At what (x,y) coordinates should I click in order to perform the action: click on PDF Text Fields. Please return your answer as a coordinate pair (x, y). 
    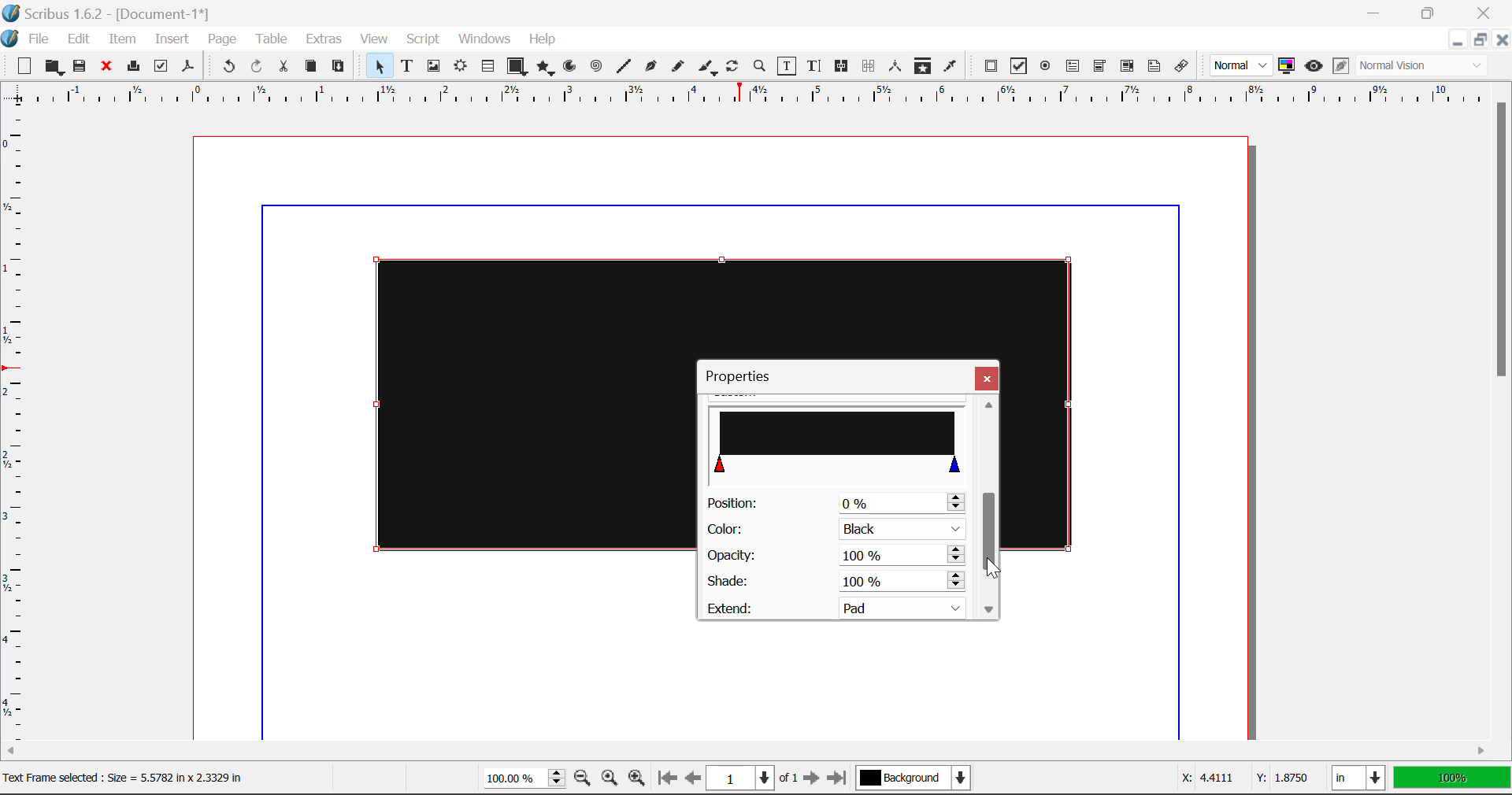
    Looking at the image, I should click on (1073, 66).